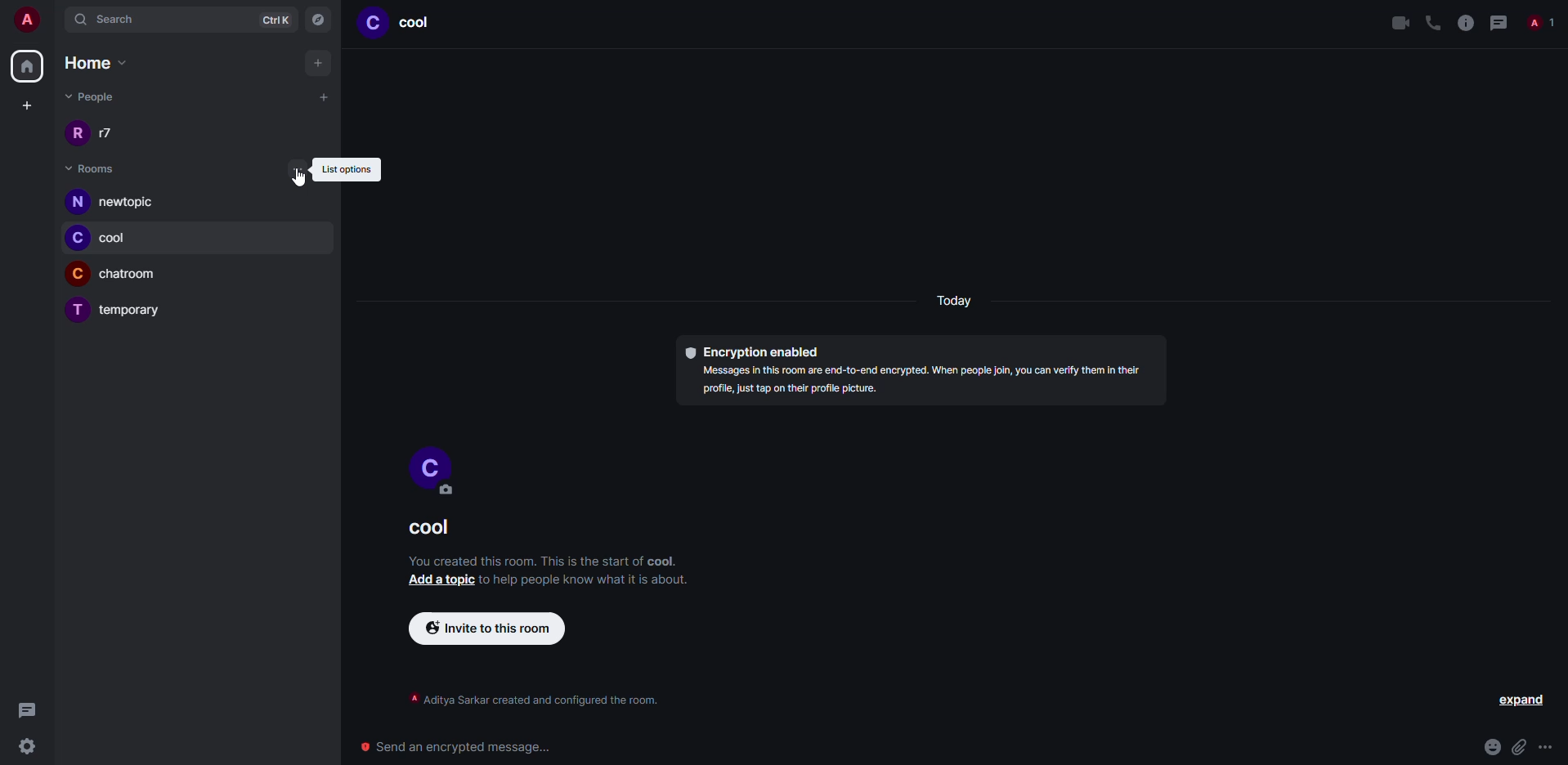 The image size is (1568, 765). I want to click on home, so click(96, 64).